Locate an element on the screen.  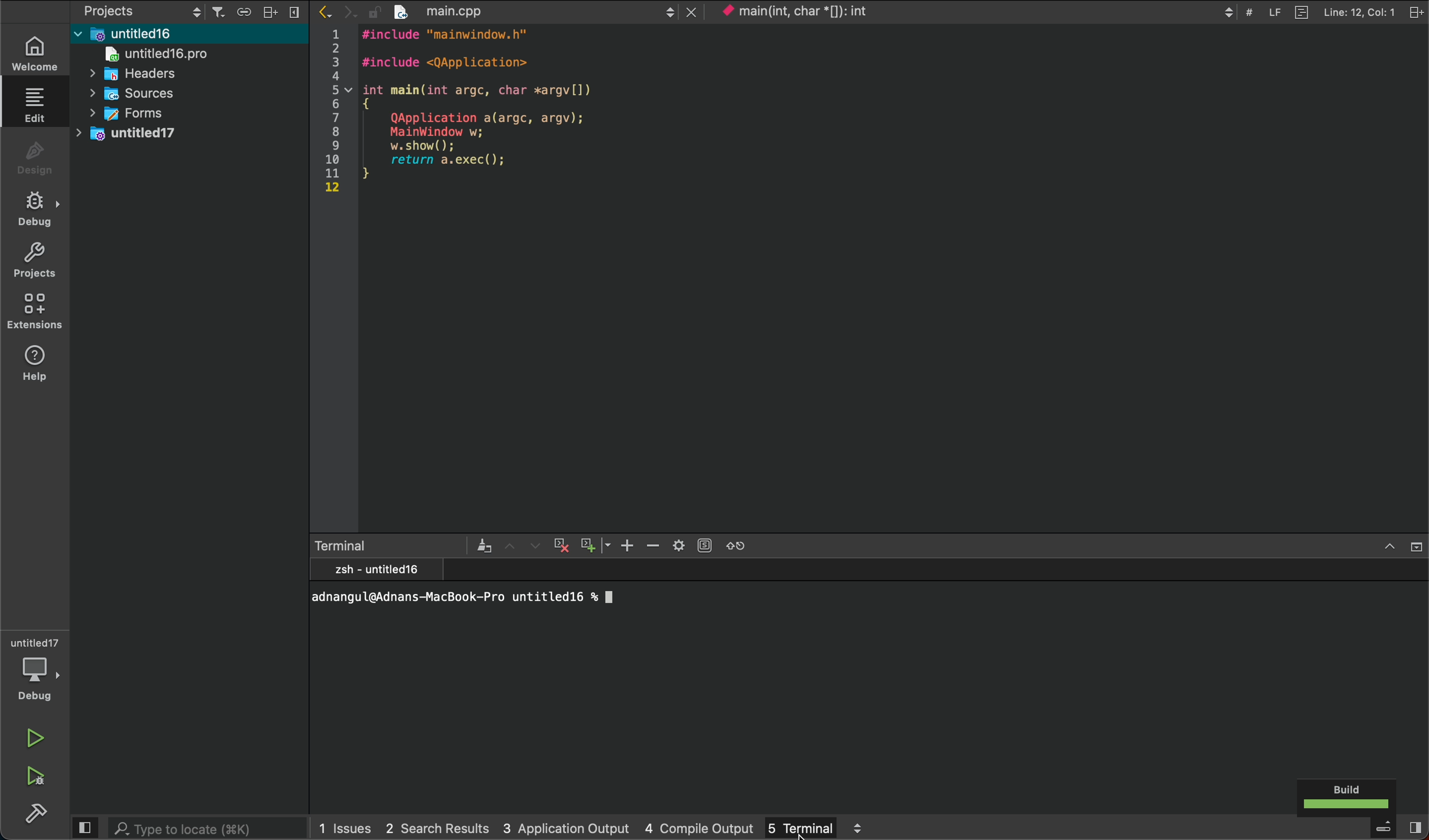
extensions is located at coordinates (34, 312).